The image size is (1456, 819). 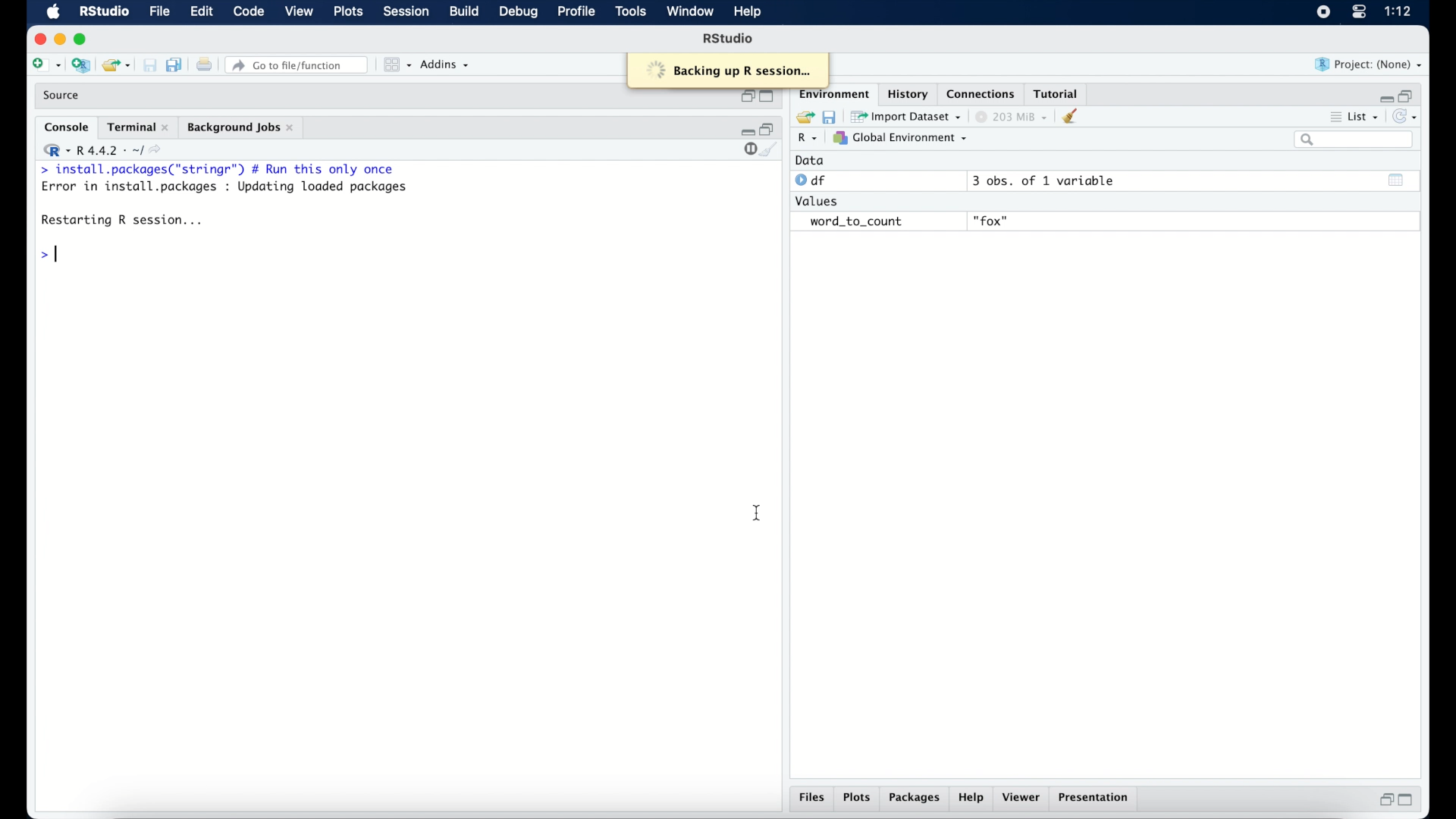 I want to click on save, so click(x=152, y=66).